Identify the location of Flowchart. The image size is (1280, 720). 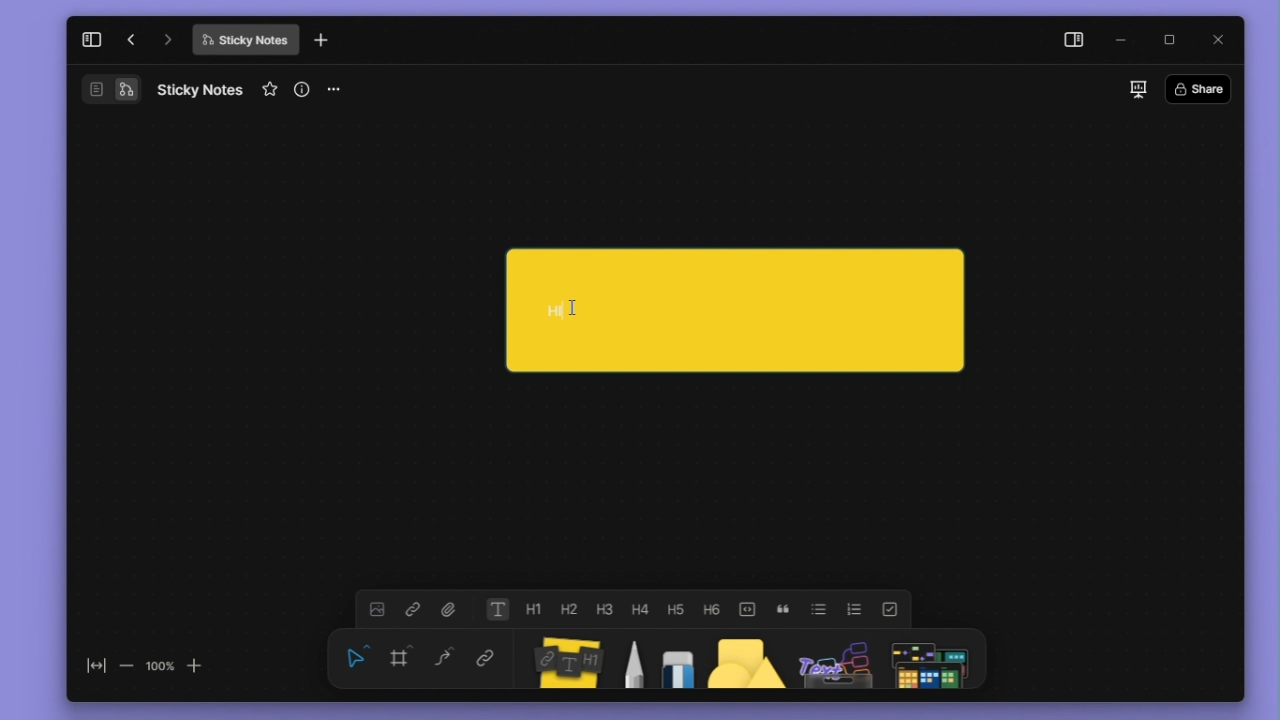
(129, 90).